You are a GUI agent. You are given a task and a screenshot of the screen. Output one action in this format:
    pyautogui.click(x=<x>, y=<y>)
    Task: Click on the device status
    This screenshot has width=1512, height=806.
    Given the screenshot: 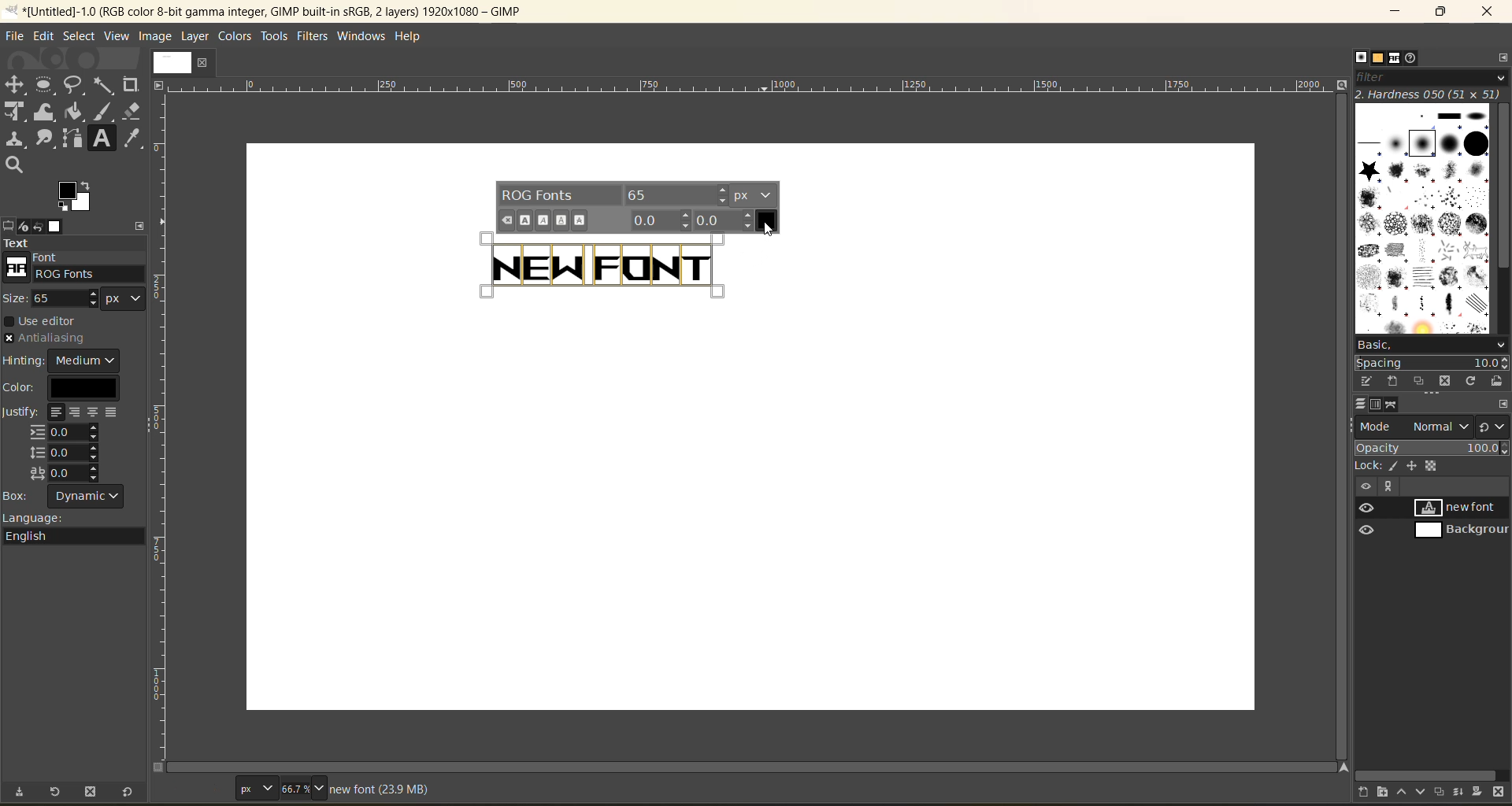 What is the action you would take?
    pyautogui.click(x=24, y=227)
    